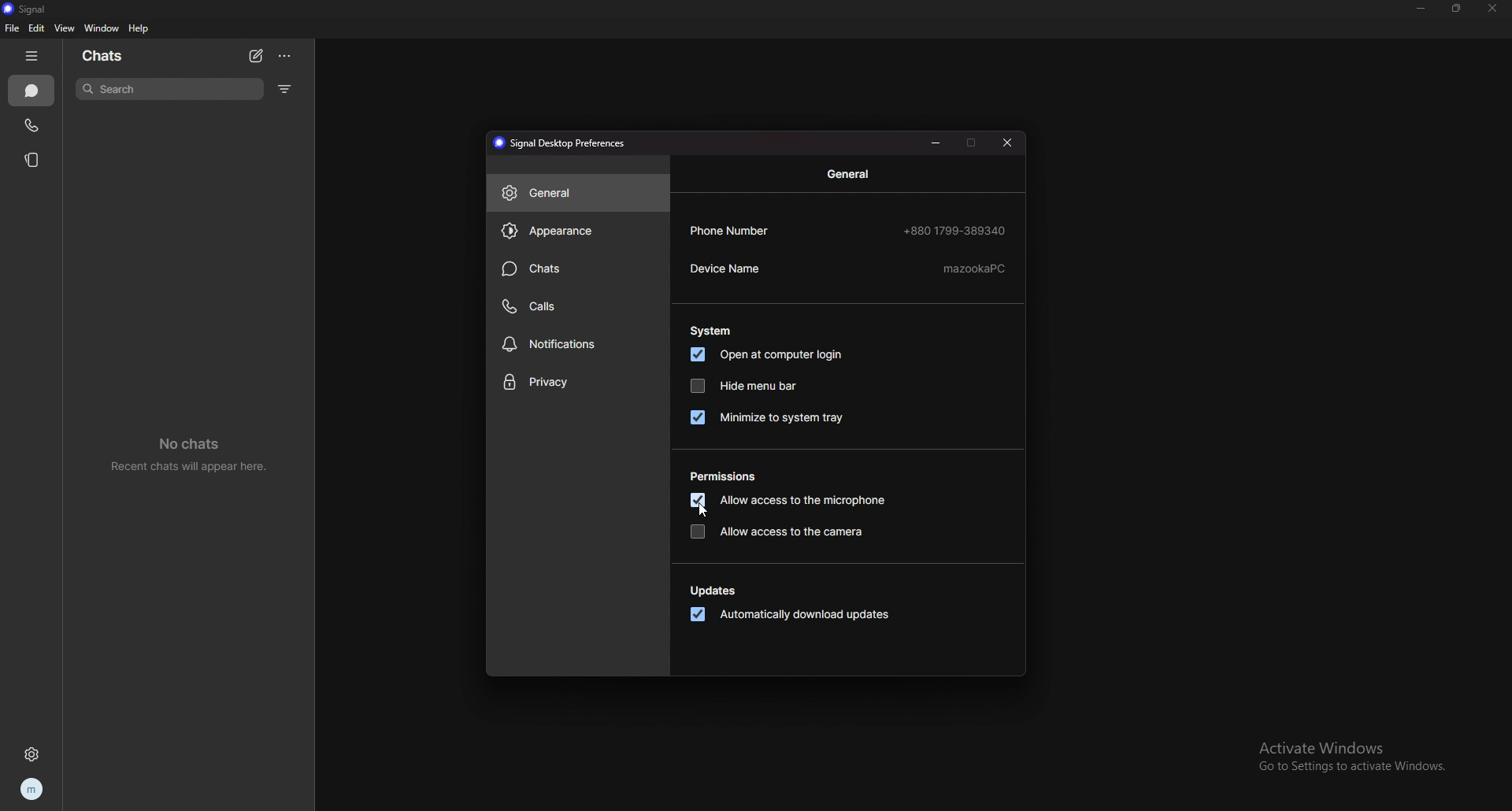  Describe the element at coordinates (972, 143) in the screenshot. I see `maximize` at that location.